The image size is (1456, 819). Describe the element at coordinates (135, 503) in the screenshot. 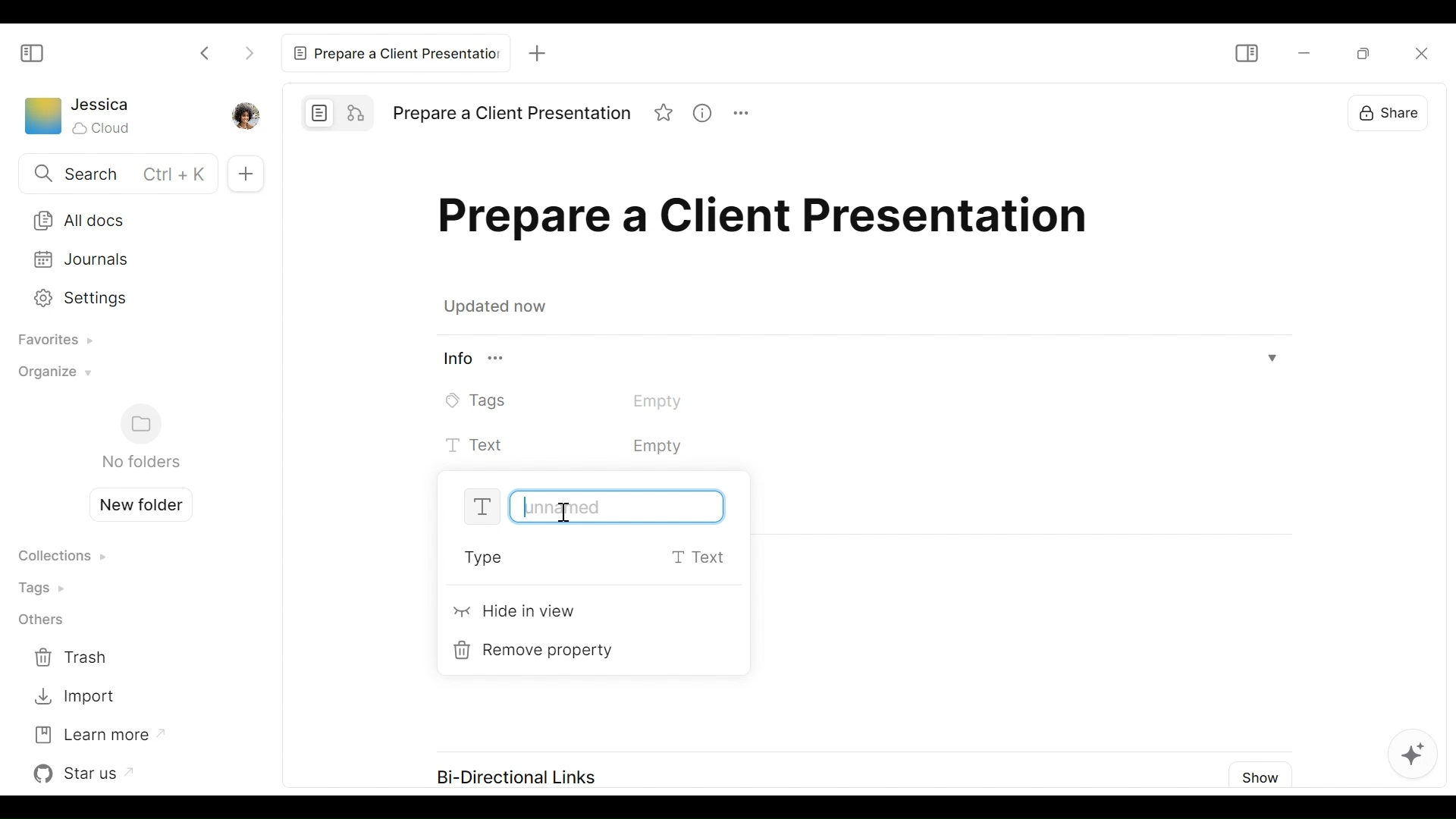

I see `Create new folder` at that location.